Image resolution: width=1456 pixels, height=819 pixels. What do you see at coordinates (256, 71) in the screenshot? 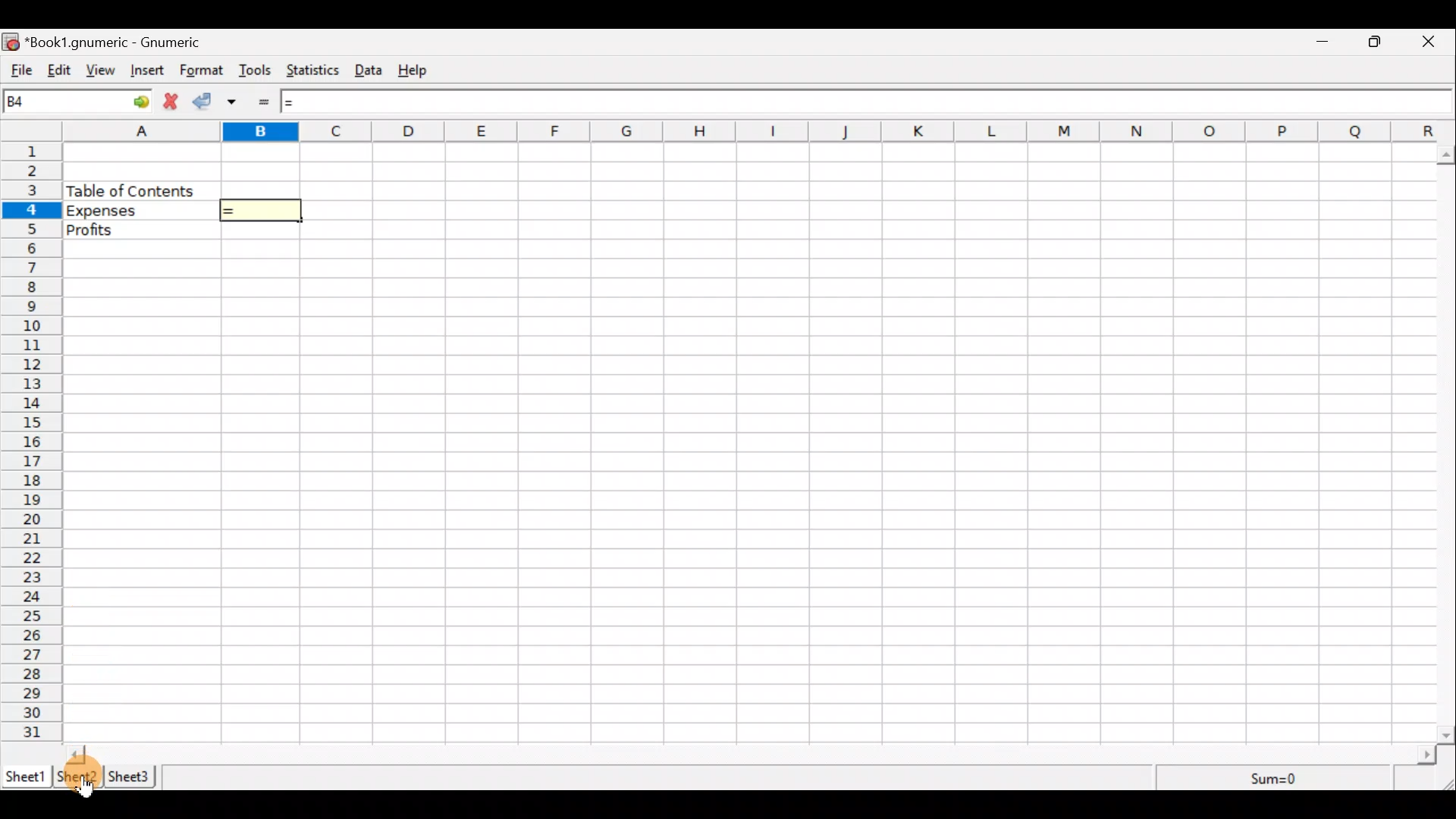
I see `Tools` at bounding box center [256, 71].